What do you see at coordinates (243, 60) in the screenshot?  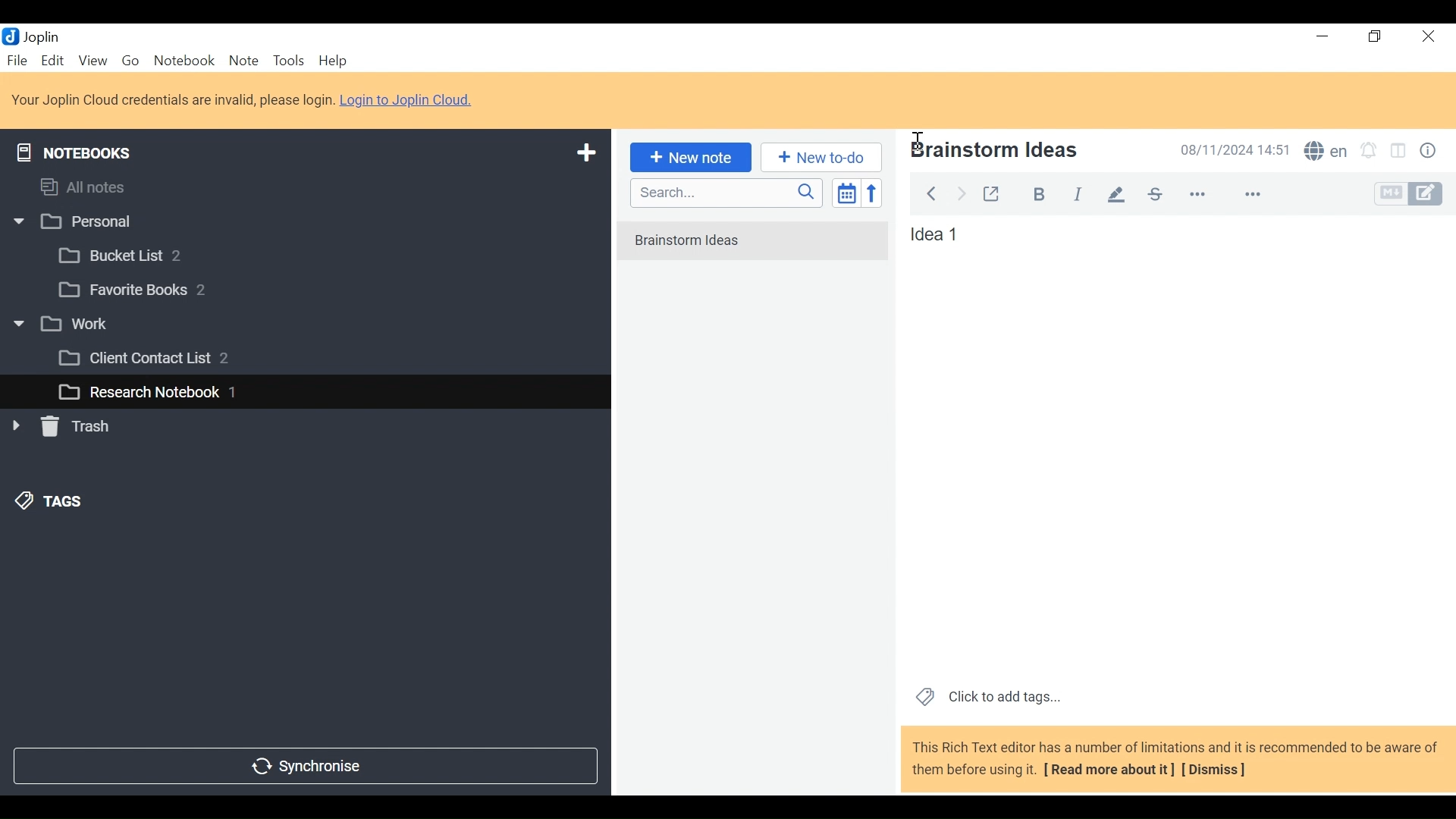 I see `Note` at bounding box center [243, 60].